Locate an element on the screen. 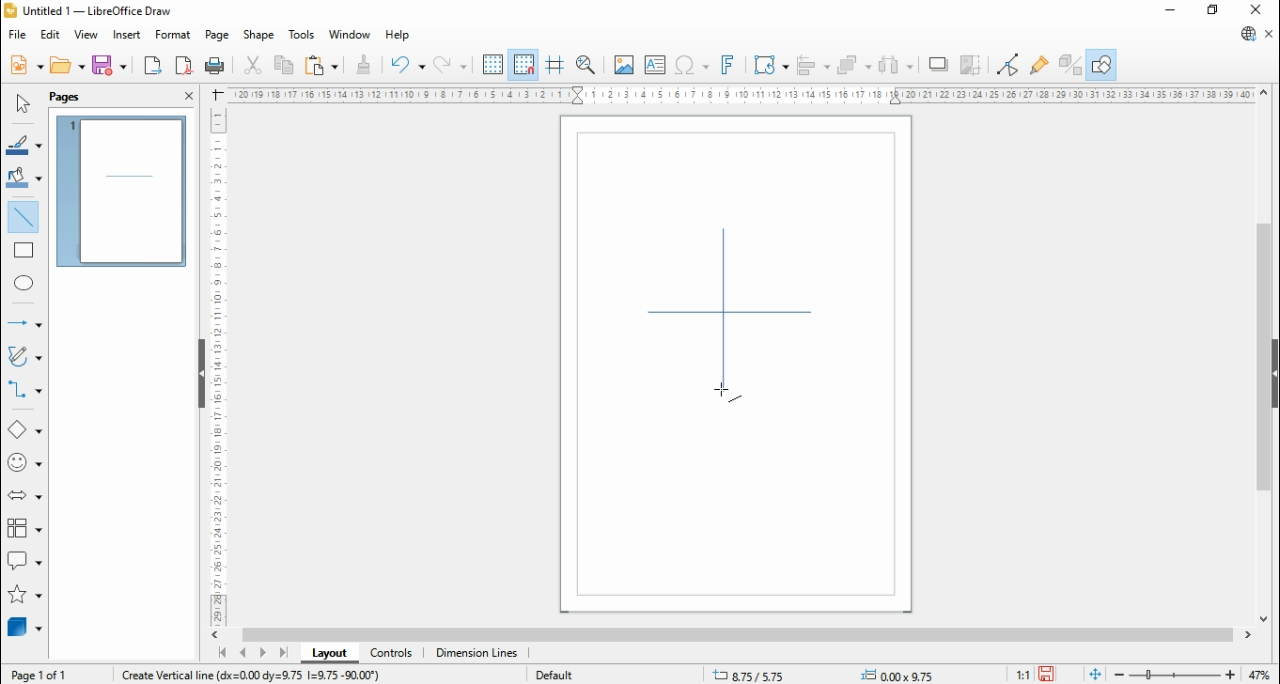 The image size is (1280, 684). page 1 is located at coordinates (122, 191).